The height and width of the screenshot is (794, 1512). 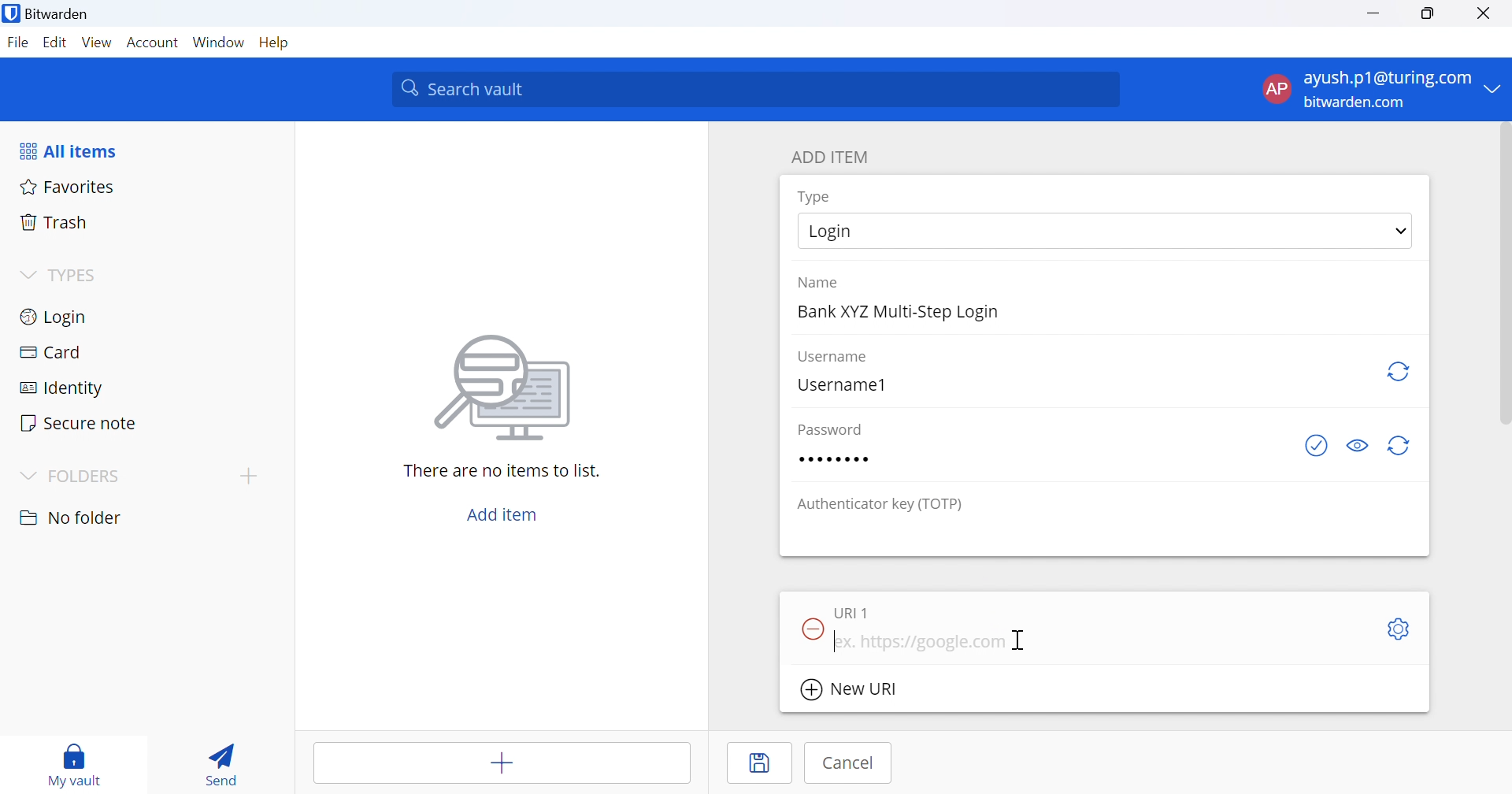 What do you see at coordinates (832, 429) in the screenshot?
I see `Password` at bounding box center [832, 429].